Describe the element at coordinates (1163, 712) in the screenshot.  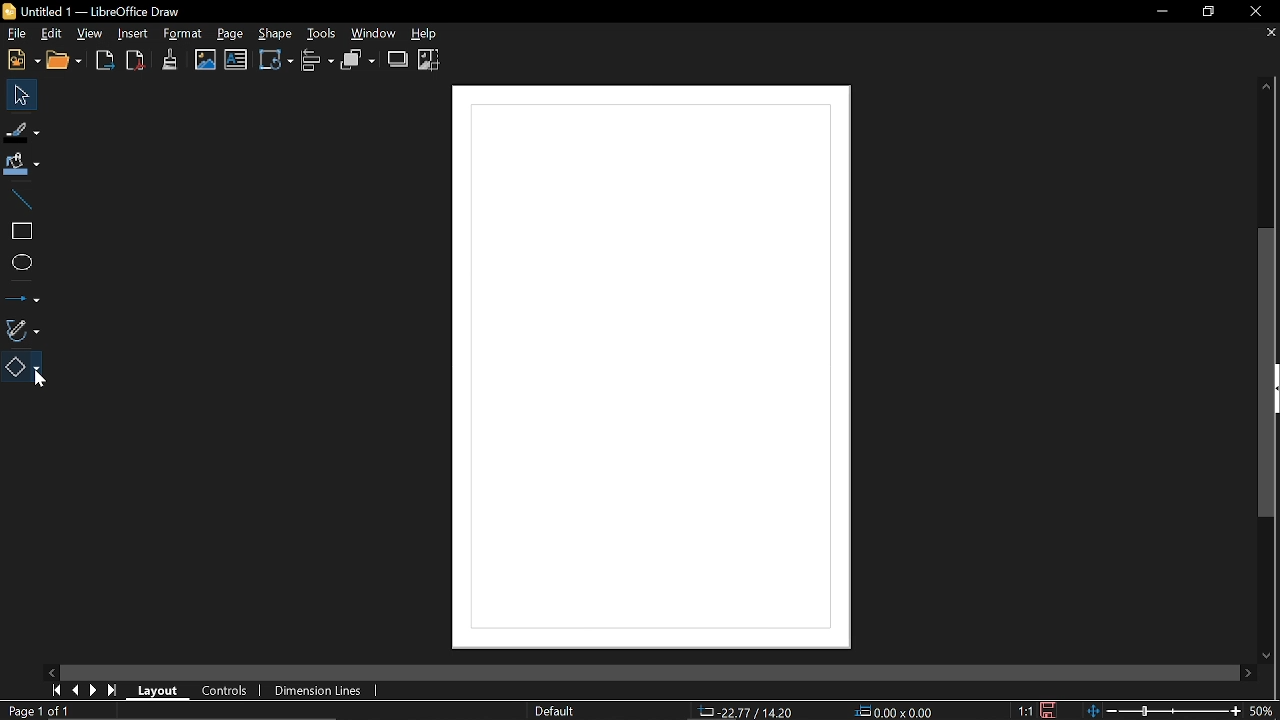
I see `Change zopm` at that location.